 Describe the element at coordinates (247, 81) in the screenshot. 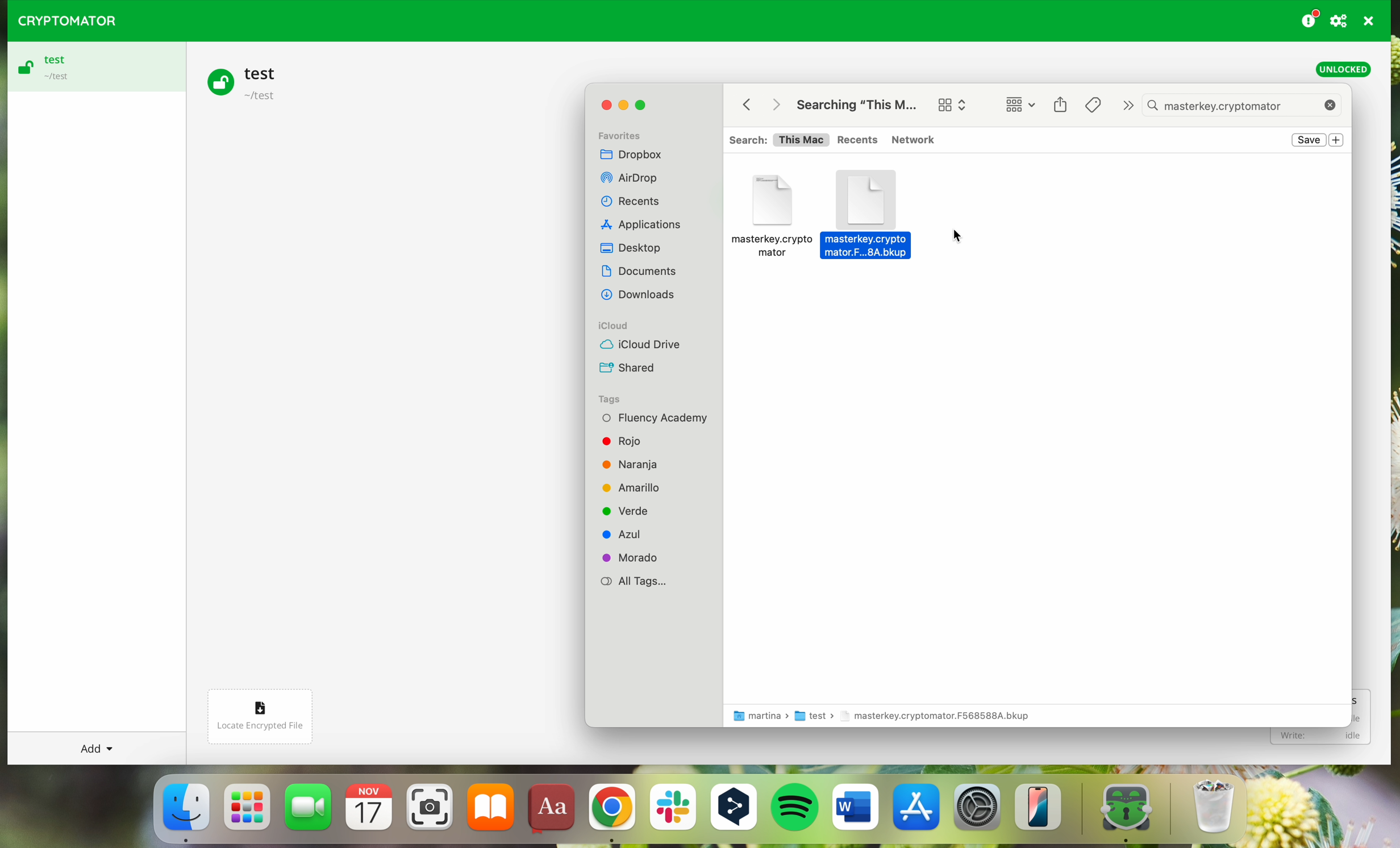

I see `test vault` at that location.